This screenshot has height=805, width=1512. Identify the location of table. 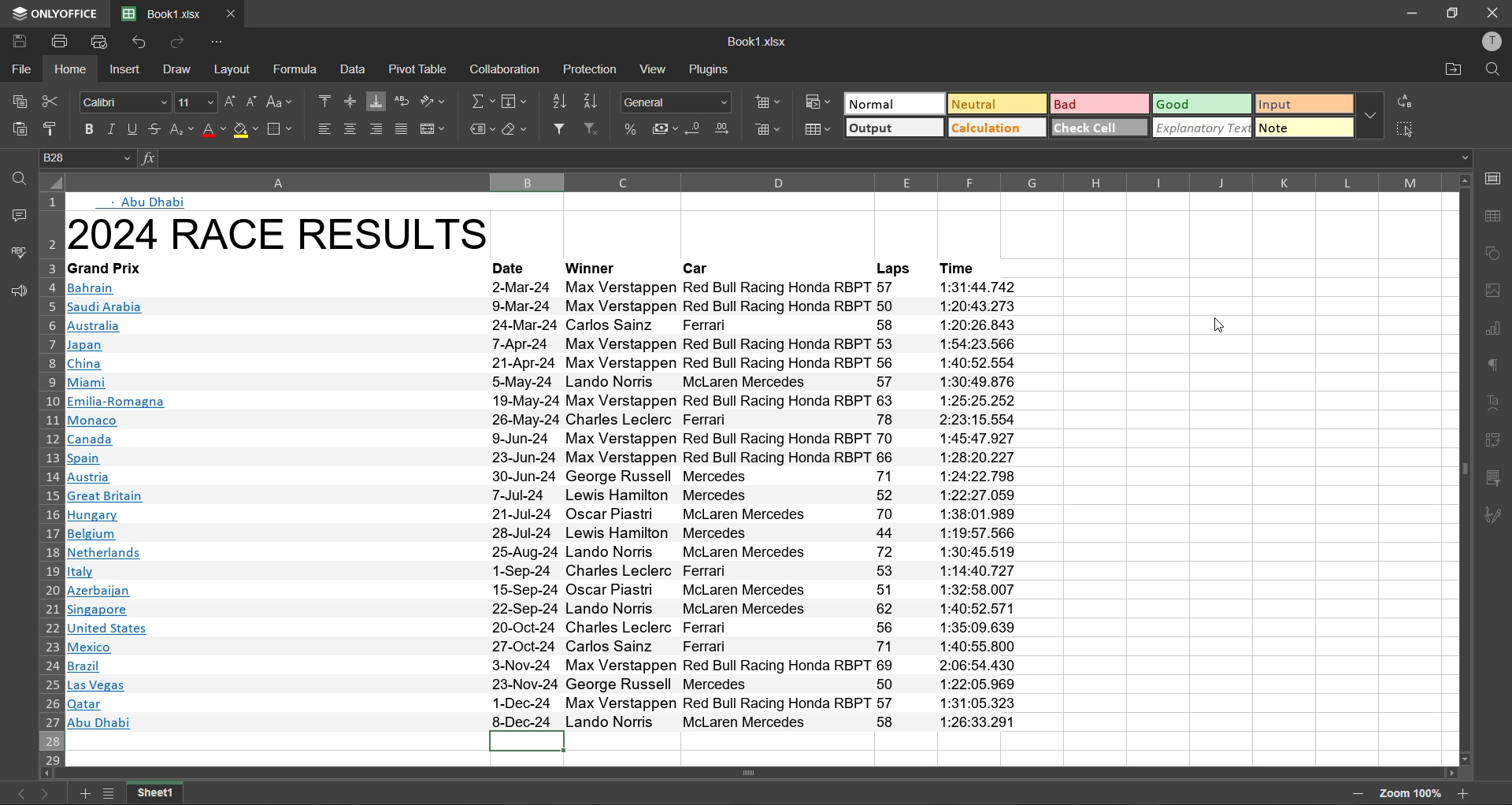
(1497, 221).